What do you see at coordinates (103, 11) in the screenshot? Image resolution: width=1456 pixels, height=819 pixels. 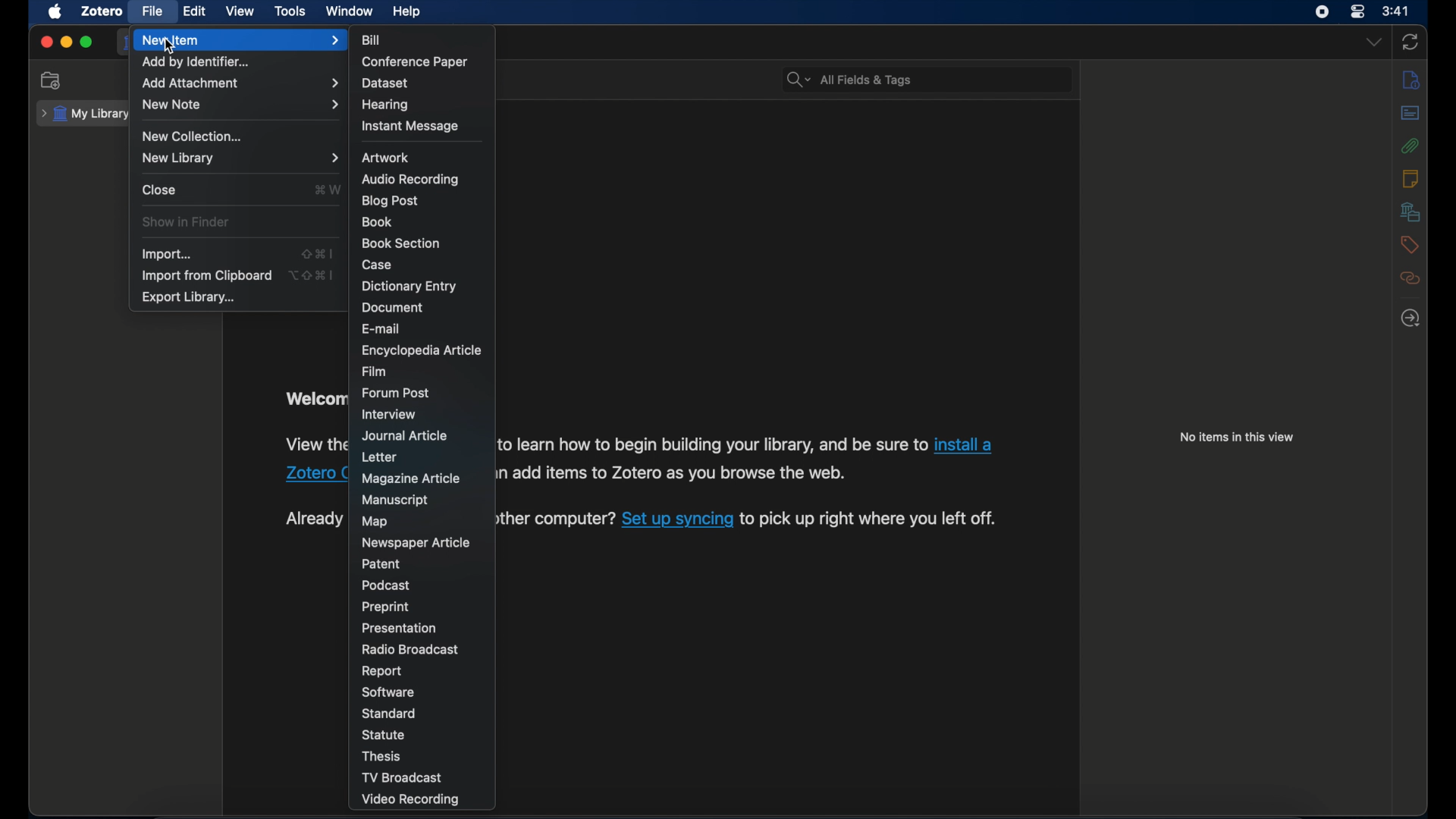 I see `zotero` at bounding box center [103, 11].